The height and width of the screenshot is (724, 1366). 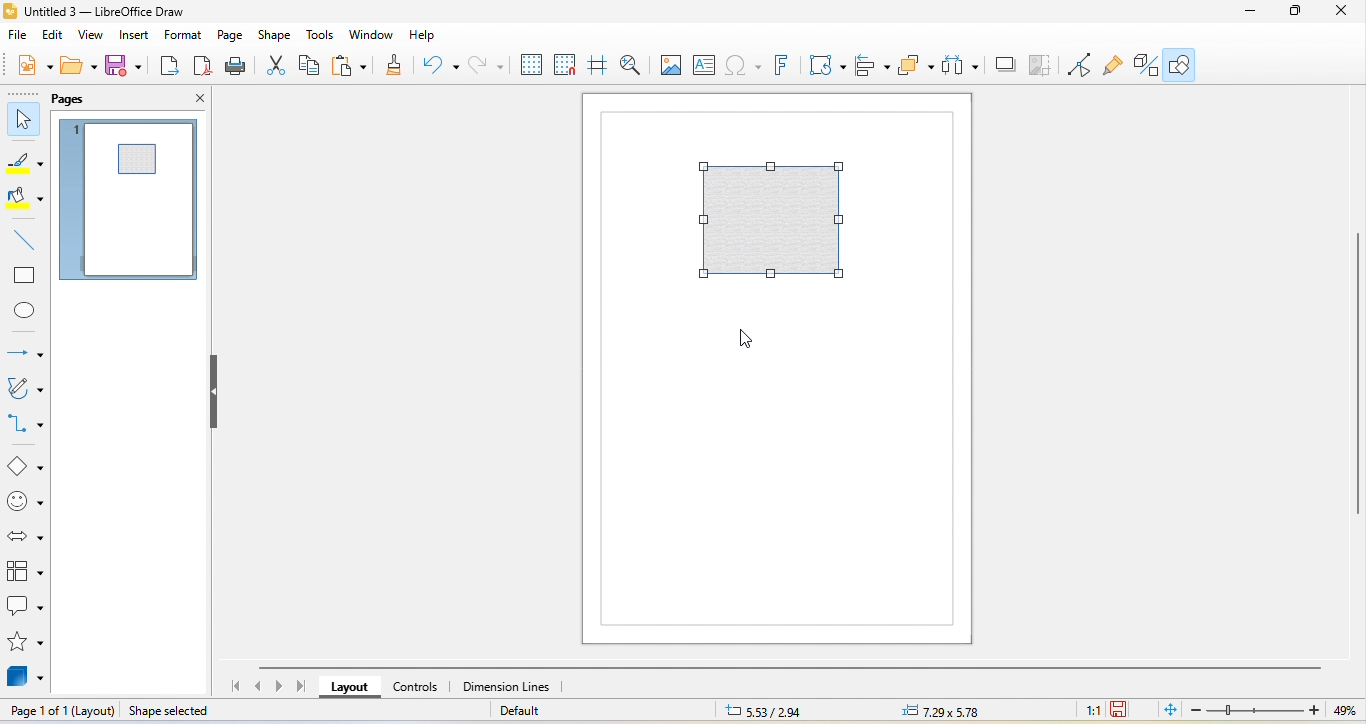 I want to click on next page, so click(x=280, y=686).